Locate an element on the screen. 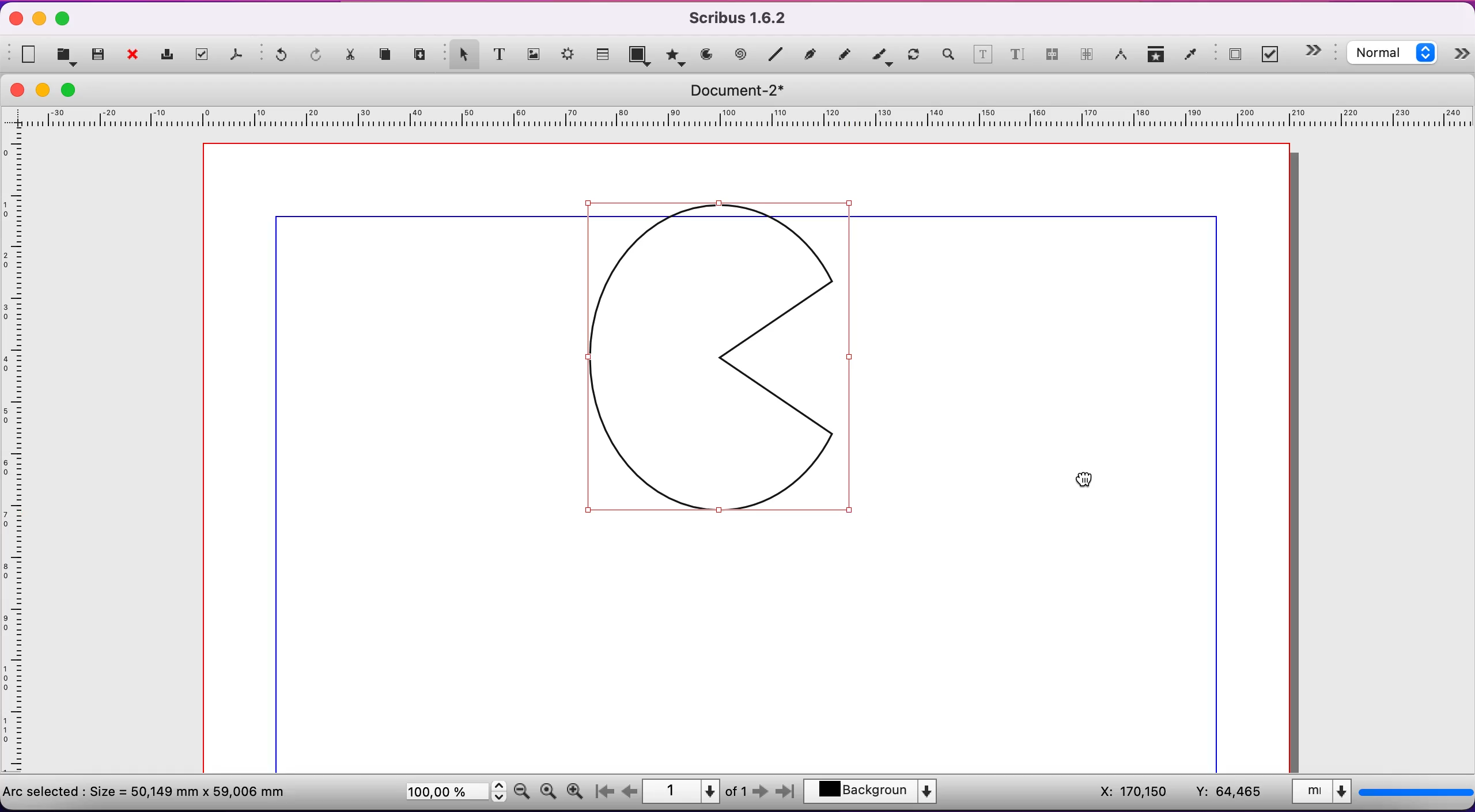 Image resolution: width=1475 pixels, height=812 pixels. maximize is located at coordinates (75, 89).